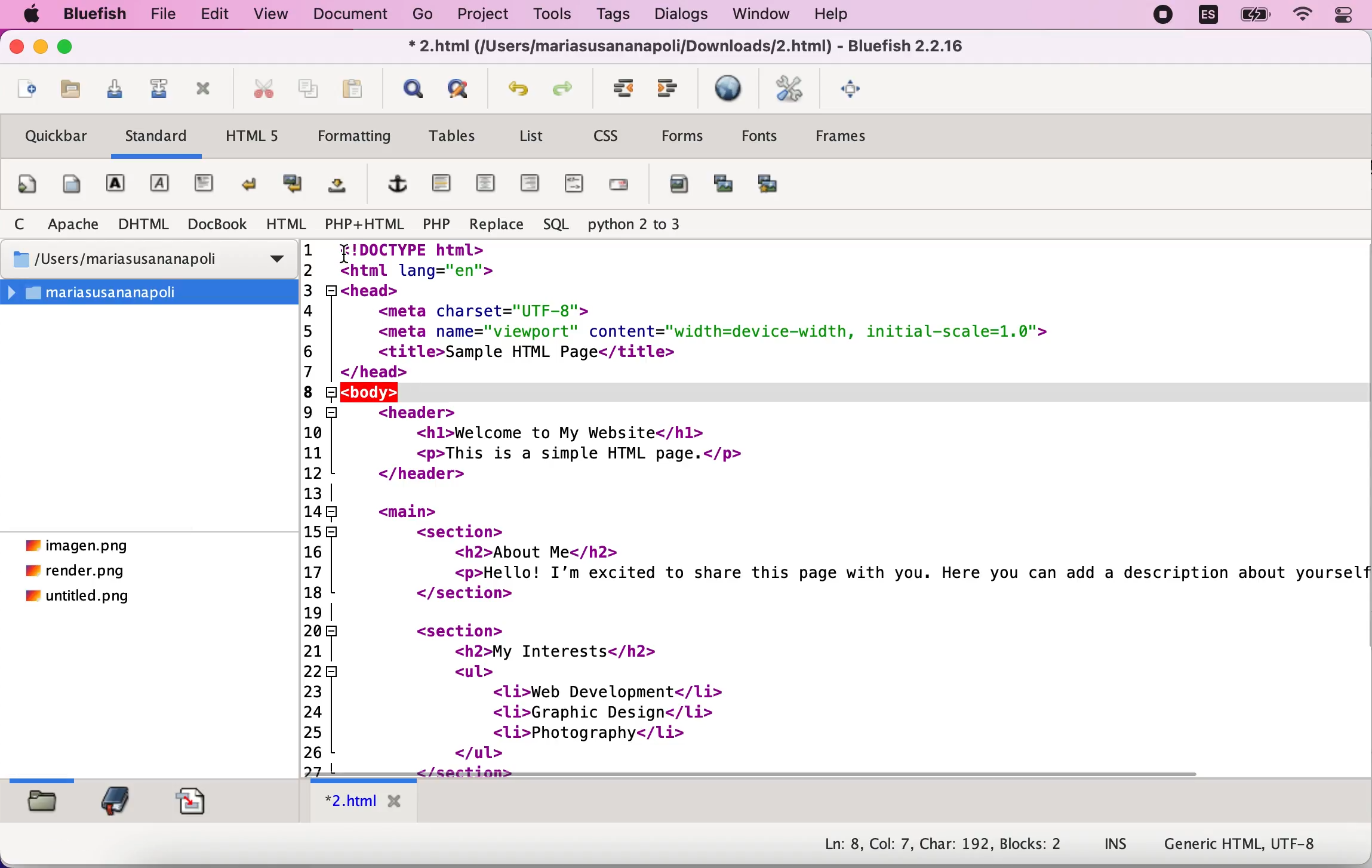 Image resolution: width=1372 pixels, height=868 pixels. What do you see at coordinates (728, 92) in the screenshot?
I see `preview in browser` at bounding box center [728, 92].